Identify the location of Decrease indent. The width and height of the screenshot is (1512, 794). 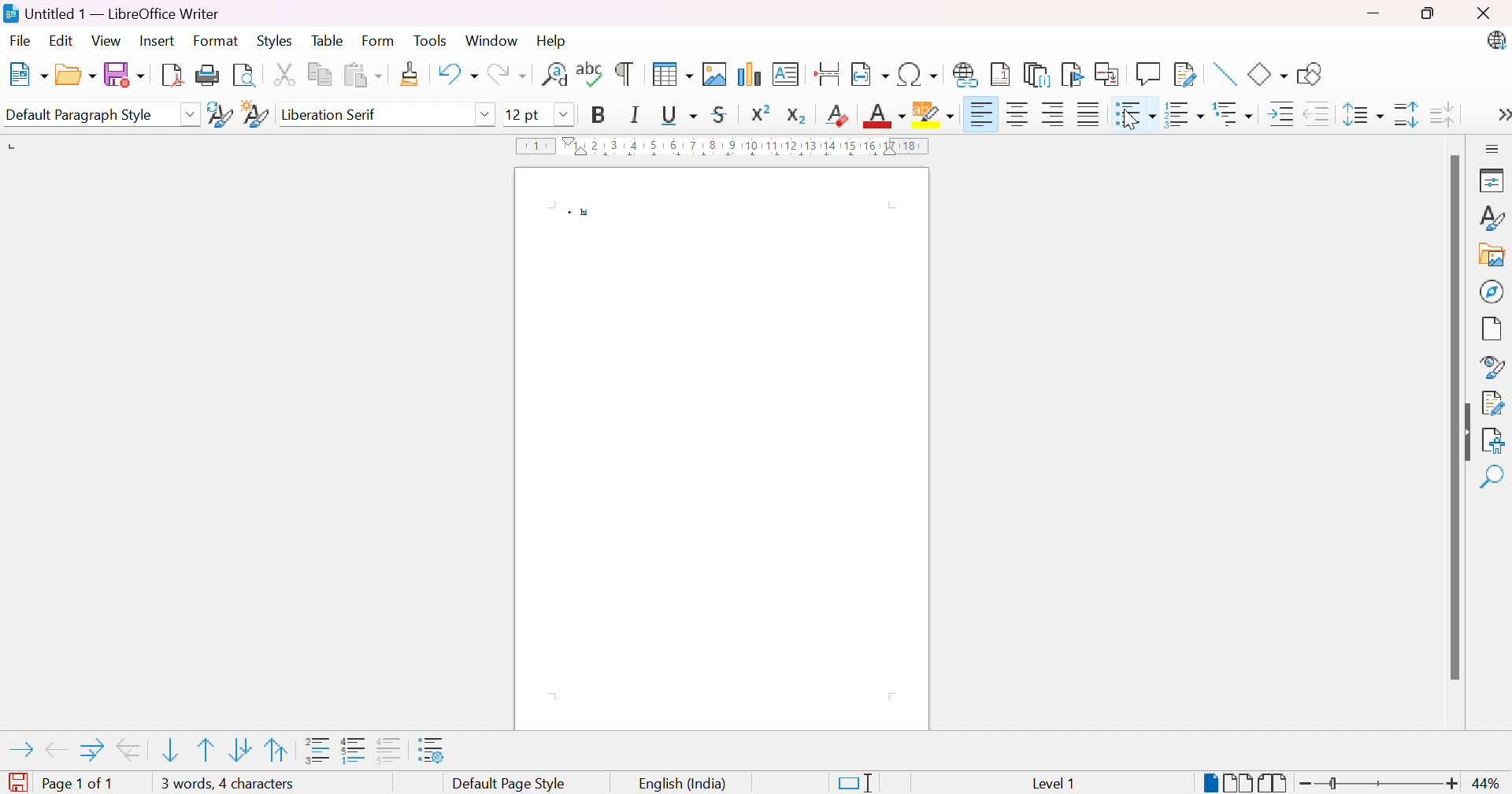
(1316, 113).